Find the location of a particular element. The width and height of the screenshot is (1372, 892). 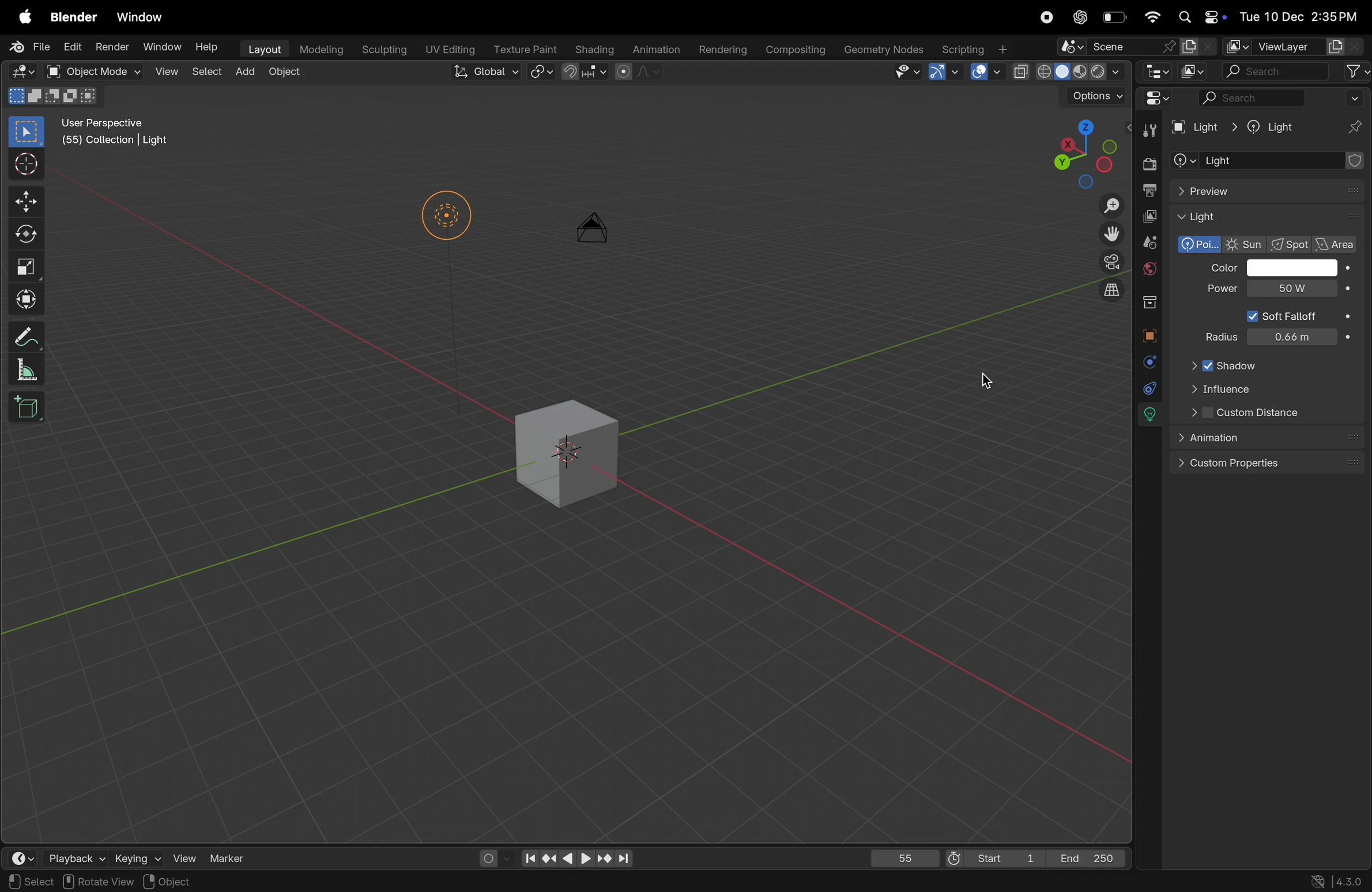

select is located at coordinates (208, 74).